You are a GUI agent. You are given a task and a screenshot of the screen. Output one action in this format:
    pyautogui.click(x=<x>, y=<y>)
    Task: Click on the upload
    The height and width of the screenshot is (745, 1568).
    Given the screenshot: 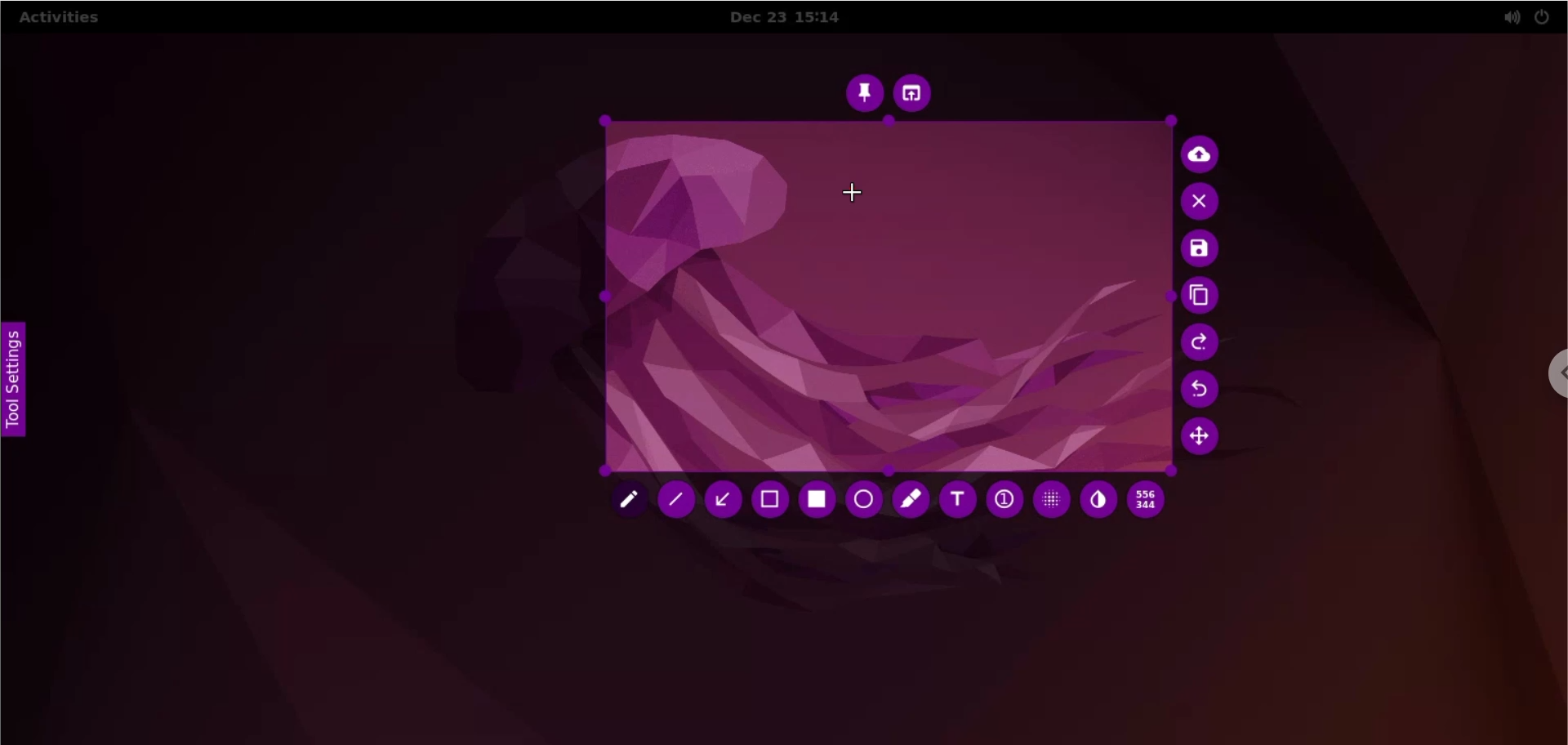 What is the action you would take?
    pyautogui.click(x=1205, y=156)
    